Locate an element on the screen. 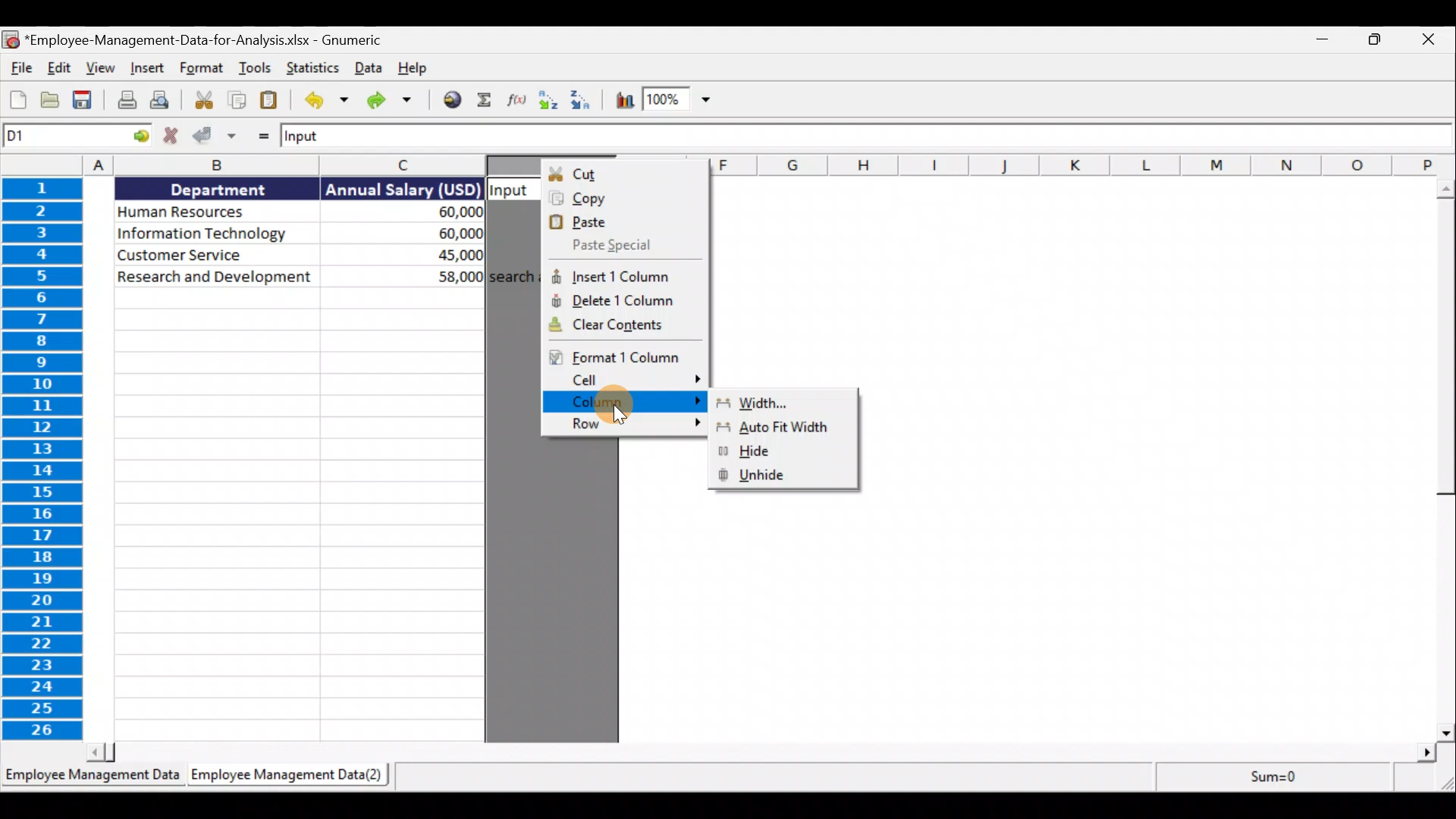 The width and height of the screenshot is (1456, 819). Document name is located at coordinates (197, 37).